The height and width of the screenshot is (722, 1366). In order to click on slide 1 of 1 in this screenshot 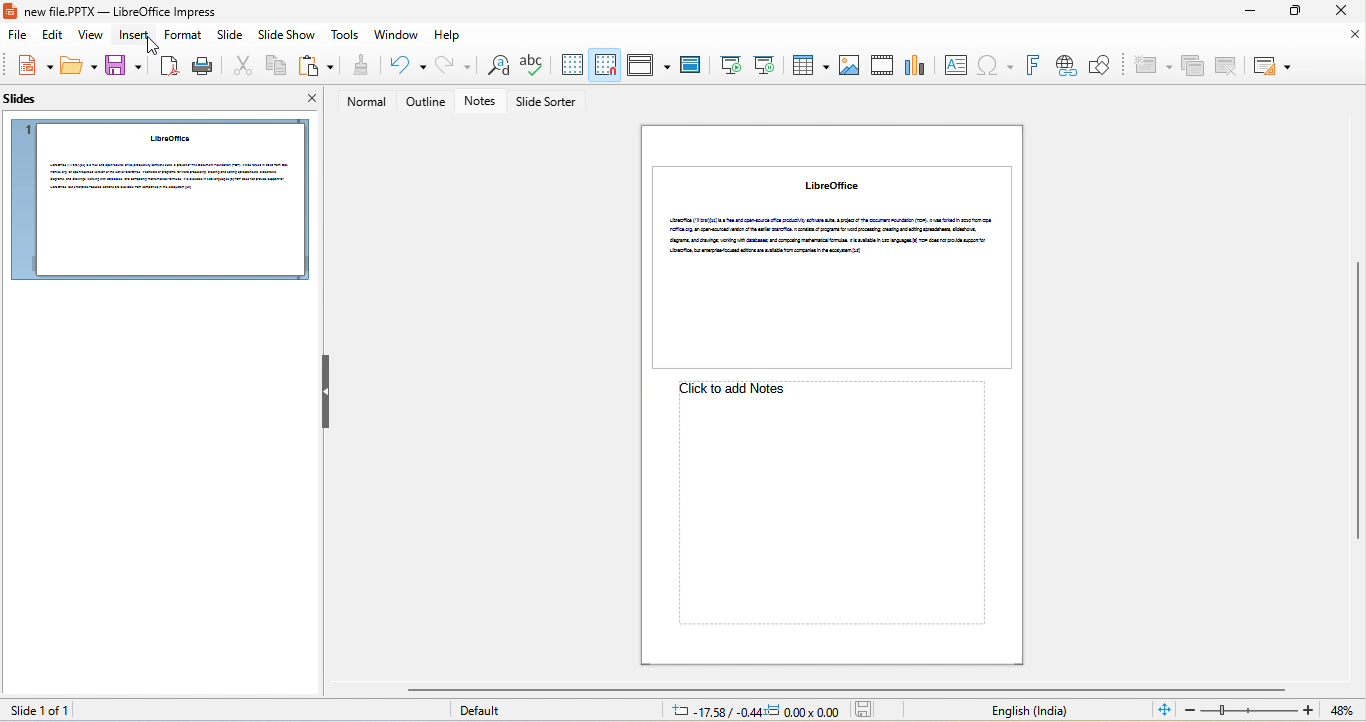, I will do `click(37, 710)`.